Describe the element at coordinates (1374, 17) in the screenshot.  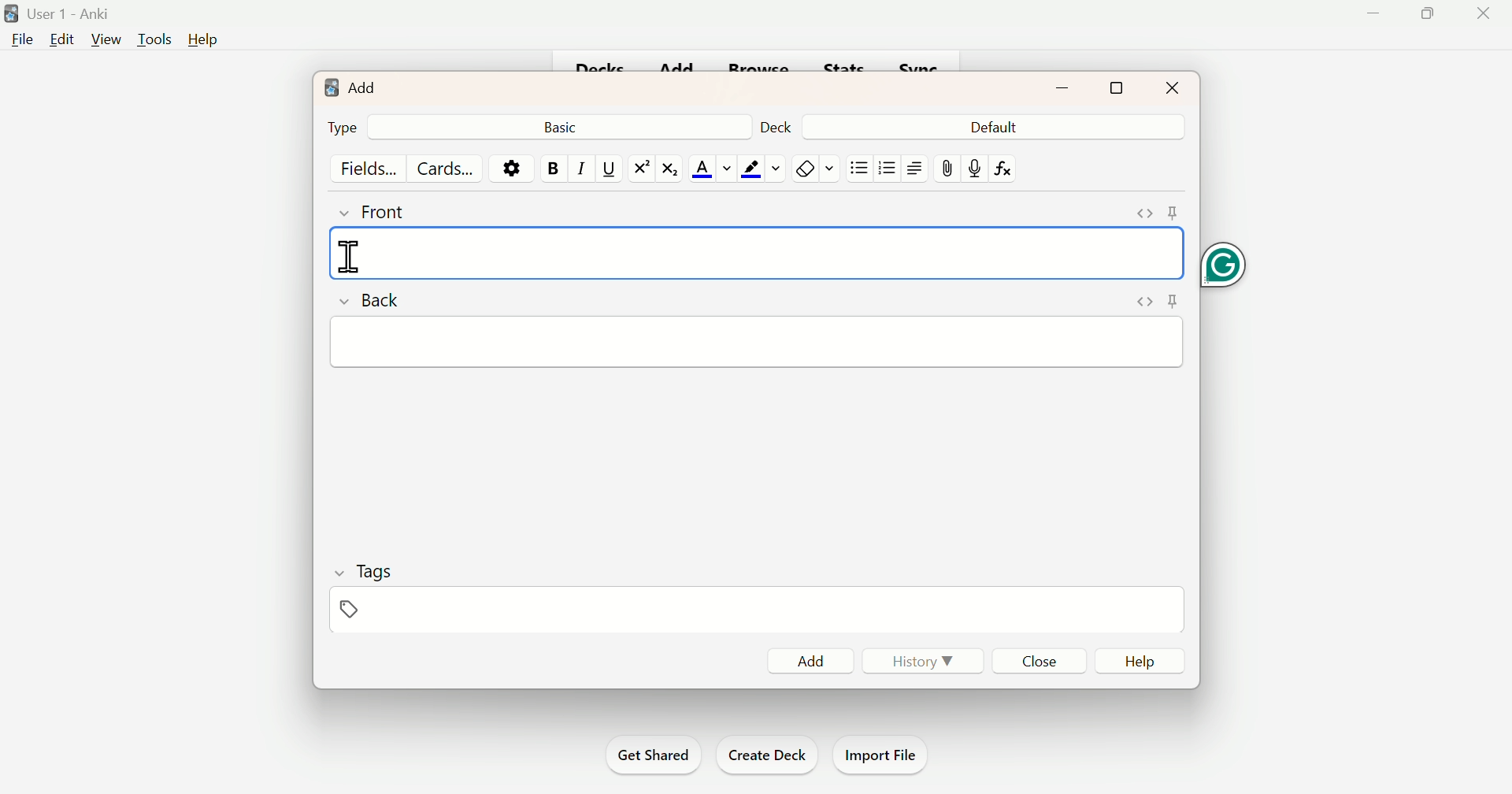
I see `Minimize` at that location.